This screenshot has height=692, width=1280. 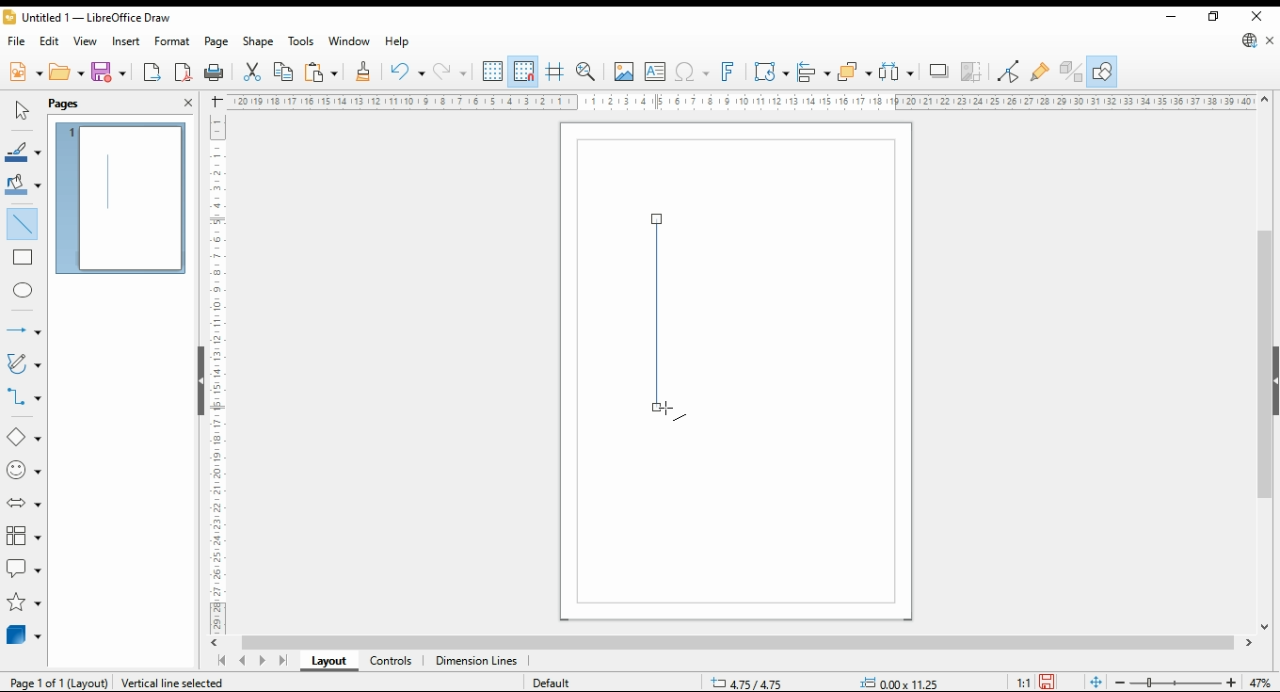 I want to click on undo, so click(x=406, y=72).